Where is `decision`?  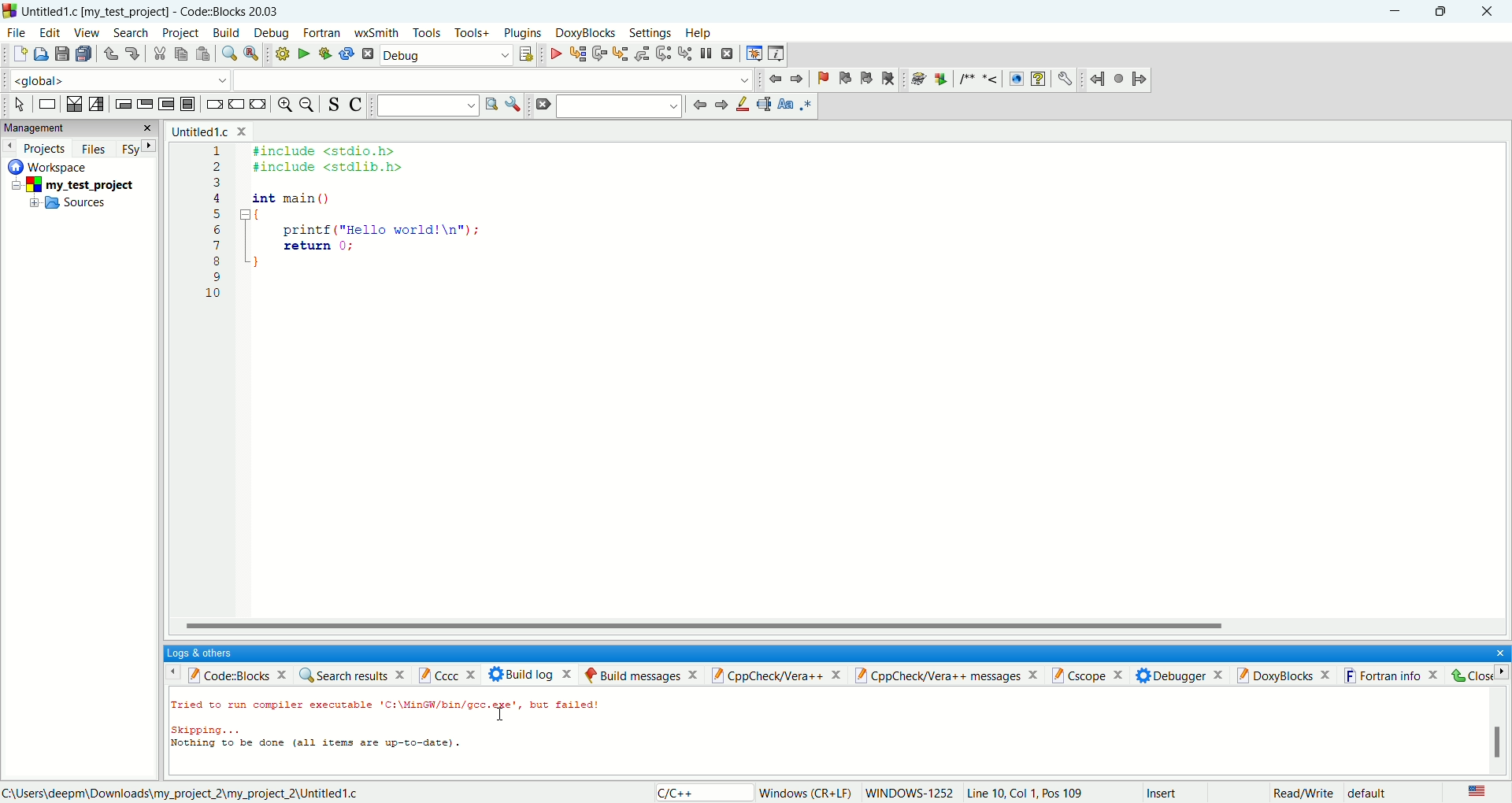 decision is located at coordinates (75, 103).